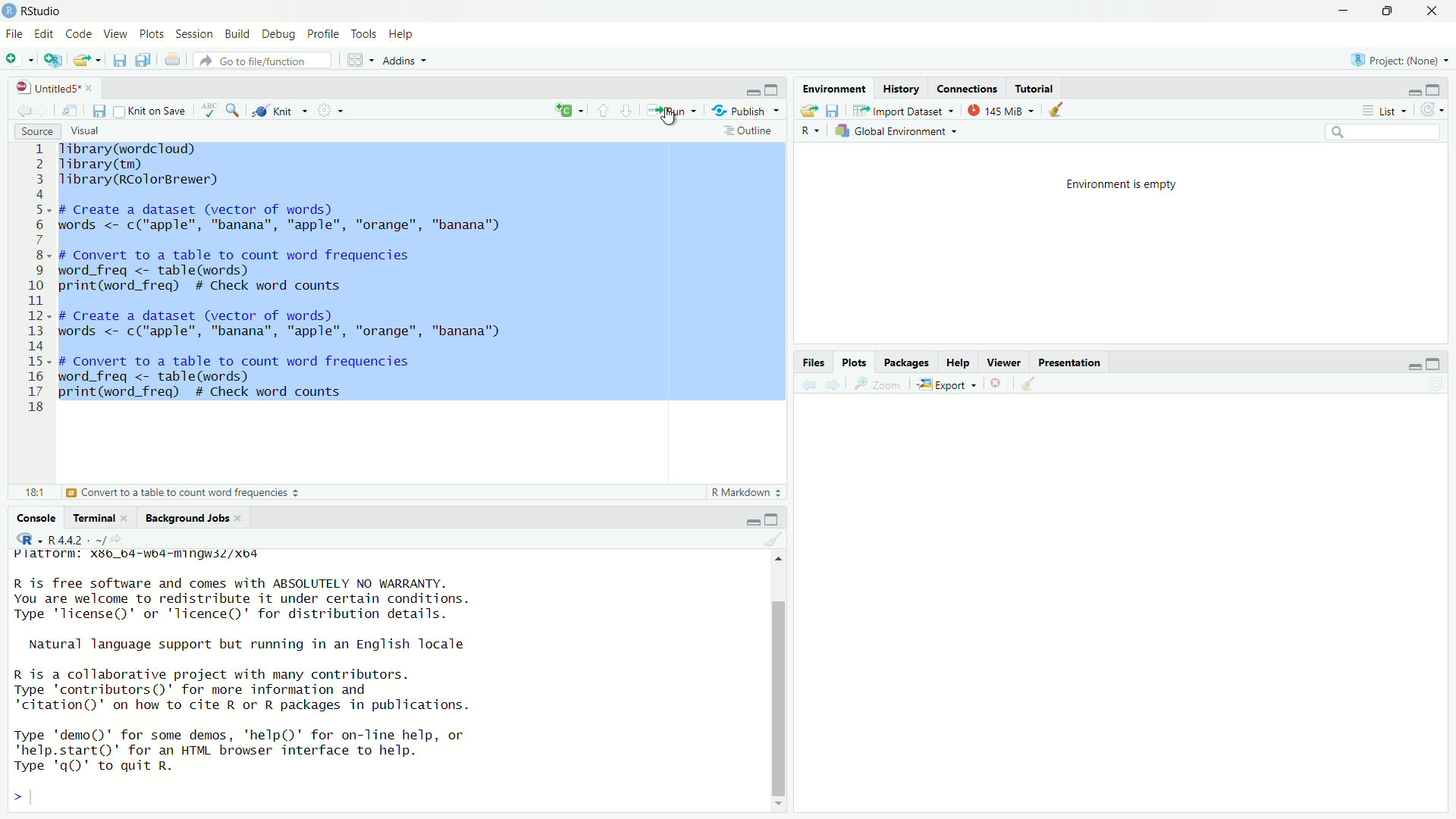 The height and width of the screenshot is (819, 1456). Describe the element at coordinates (171, 59) in the screenshot. I see `Print the current file` at that location.